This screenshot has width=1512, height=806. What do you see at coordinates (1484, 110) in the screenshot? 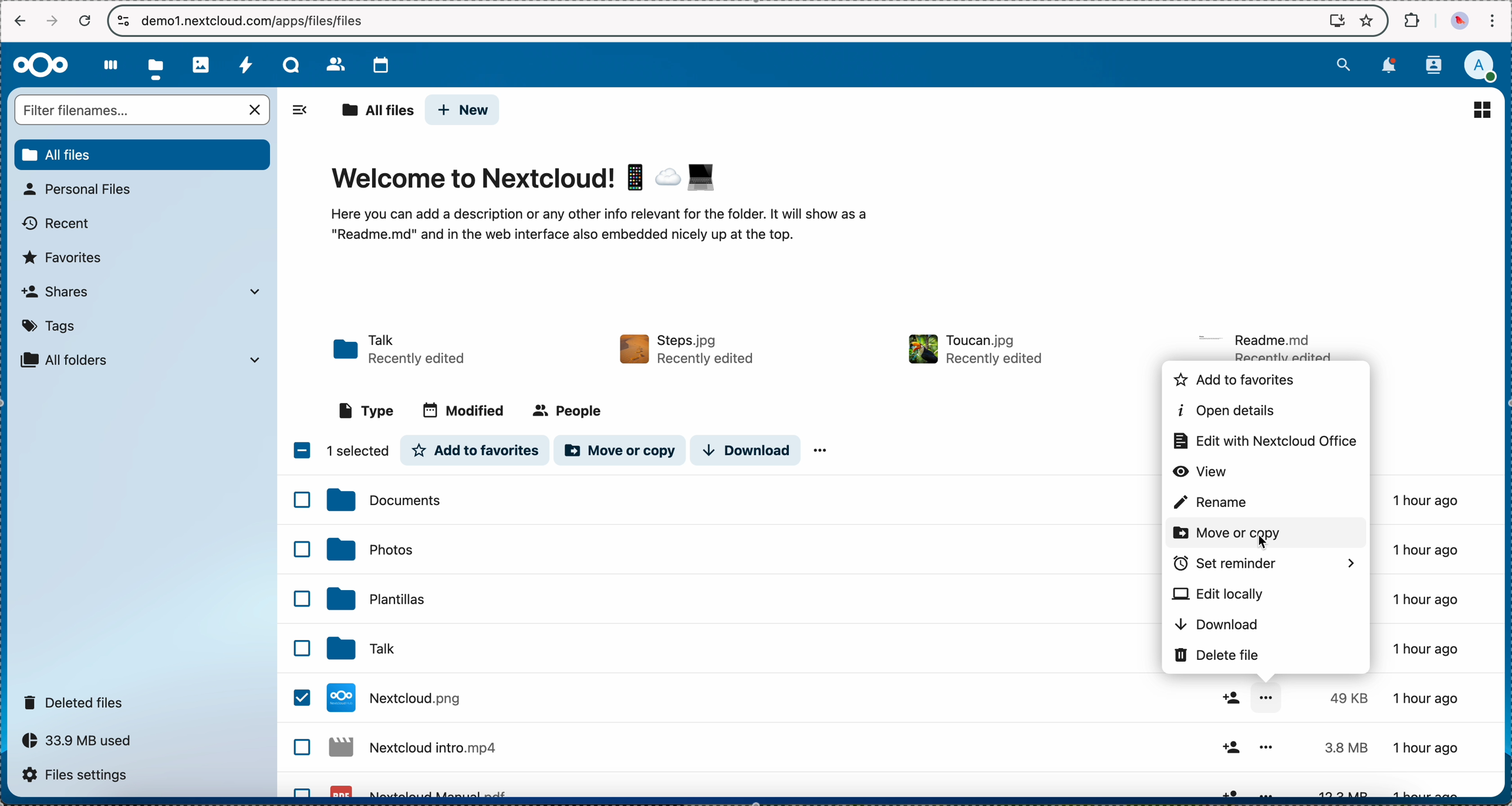
I see `list view` at bounding box center [1484, 110].